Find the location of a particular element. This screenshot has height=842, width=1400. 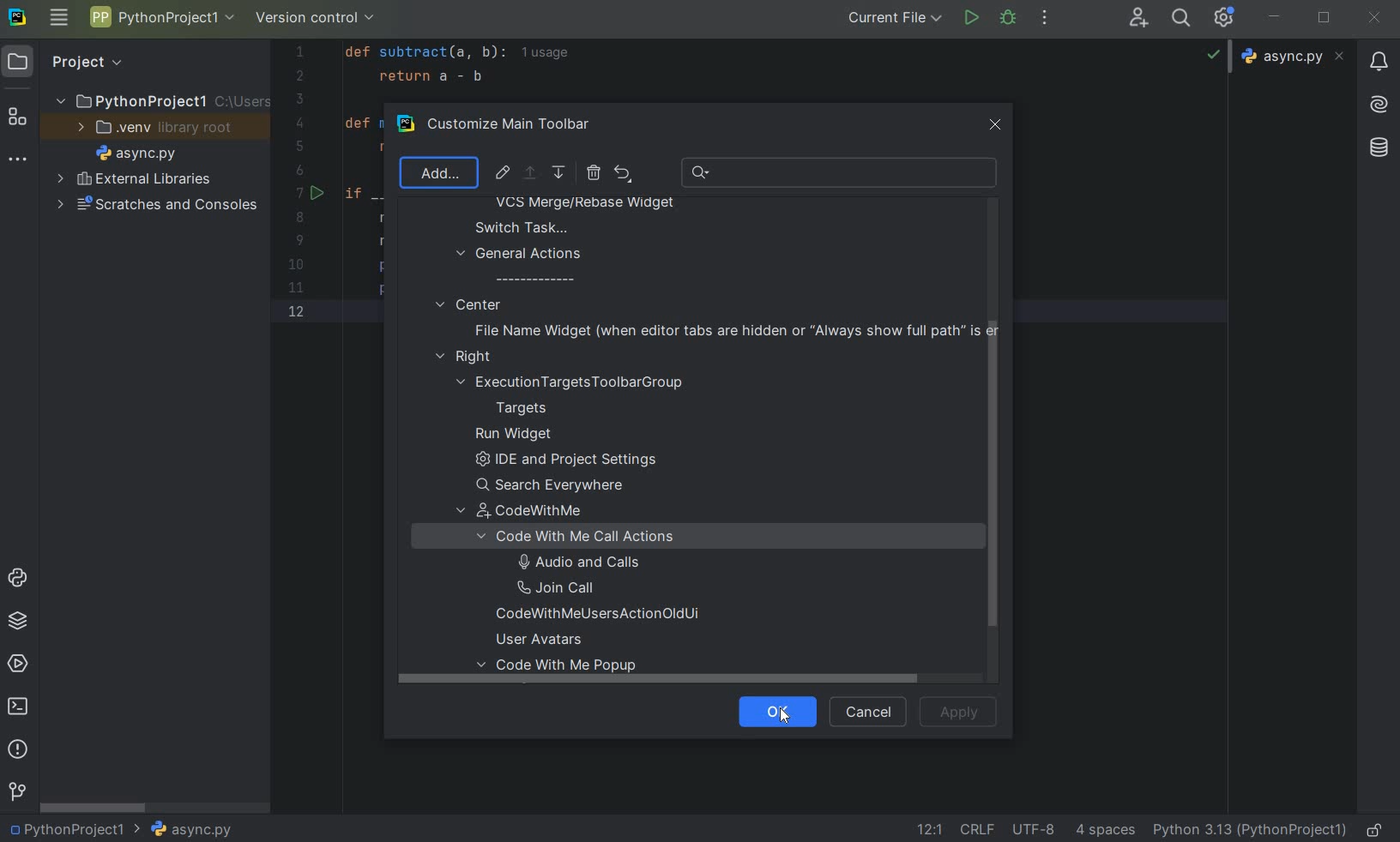

RUN is located at coordinates (973, 19).